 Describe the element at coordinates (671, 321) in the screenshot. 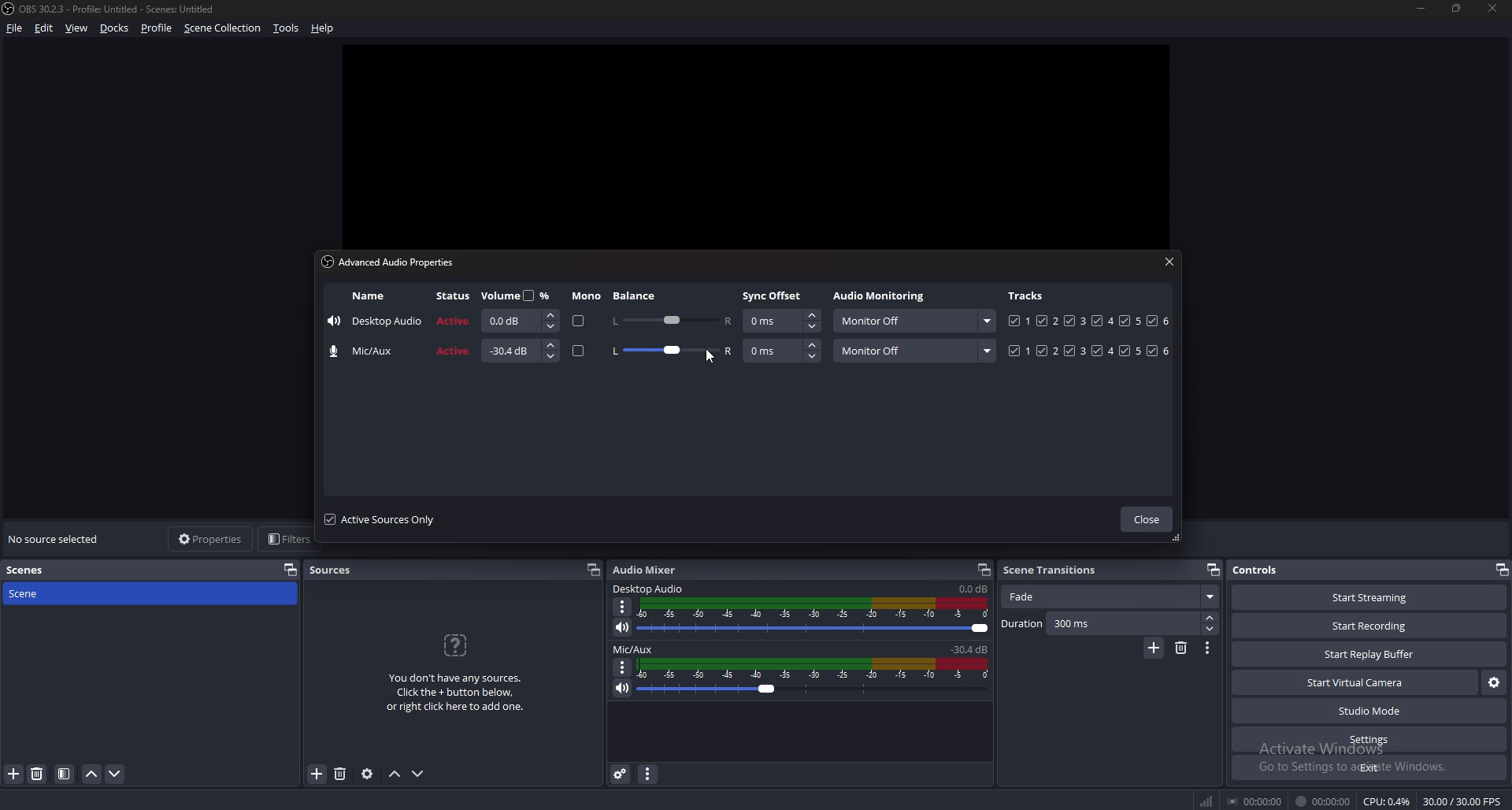

I see `balance adjust` at that location.